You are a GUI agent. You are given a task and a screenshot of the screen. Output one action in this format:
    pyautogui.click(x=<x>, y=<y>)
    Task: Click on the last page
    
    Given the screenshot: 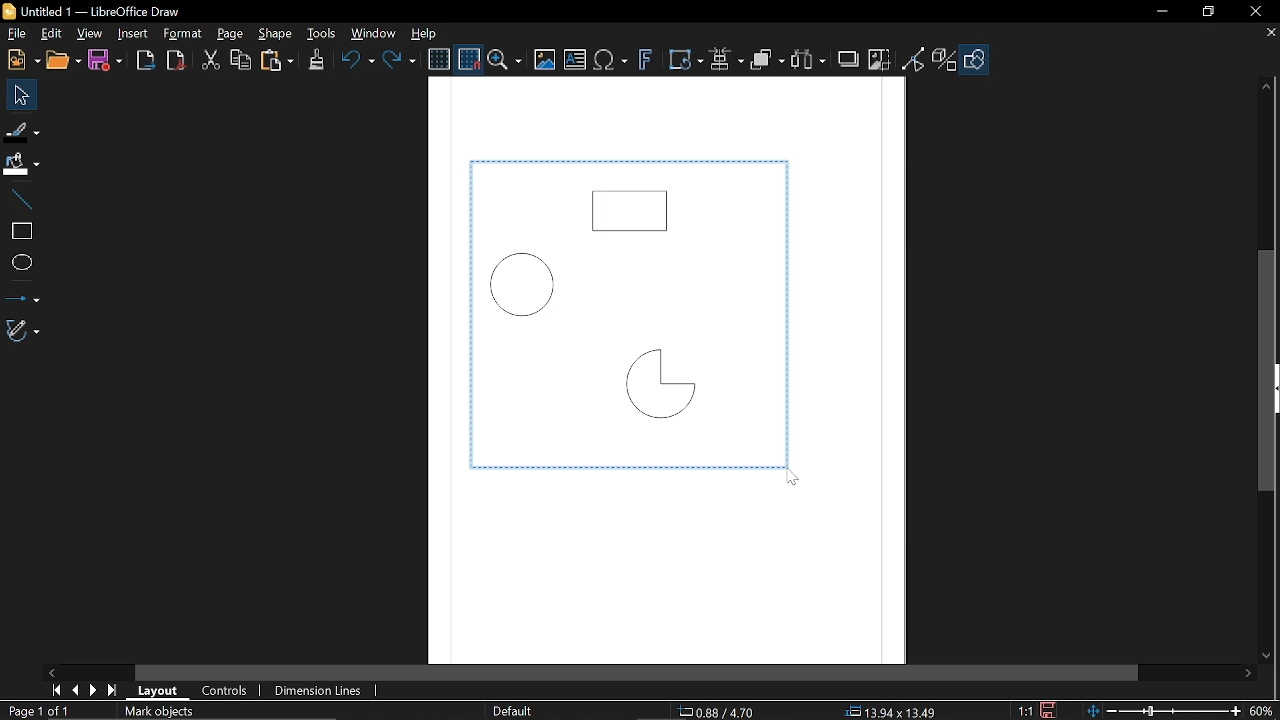 What is the action you would take?
    pyautogui.click(x=110, y=690)
    